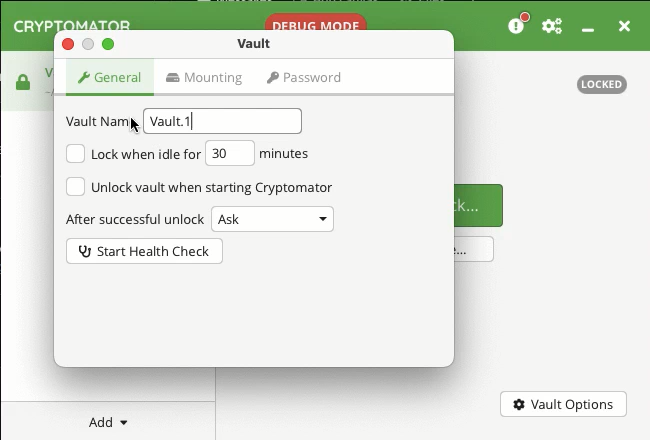 The height and width of the screenshot is (440, 650). I want to click on minimise, so click(88, 44).